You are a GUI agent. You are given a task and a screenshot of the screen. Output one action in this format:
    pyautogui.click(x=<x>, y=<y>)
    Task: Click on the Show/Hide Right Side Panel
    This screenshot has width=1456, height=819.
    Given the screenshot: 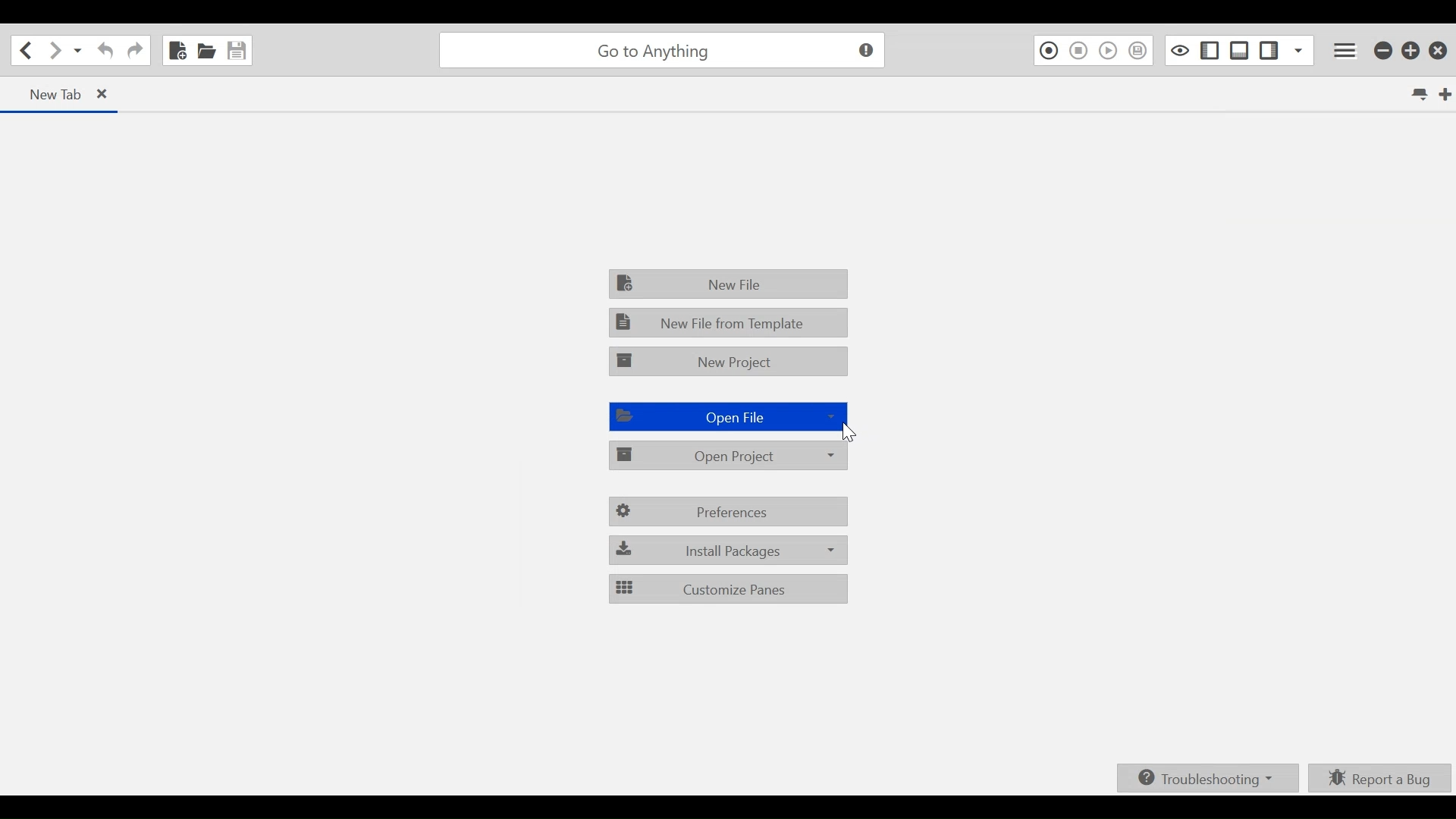 What is the action you would take?
    pyautogui.click(x=1209, y=49)
    